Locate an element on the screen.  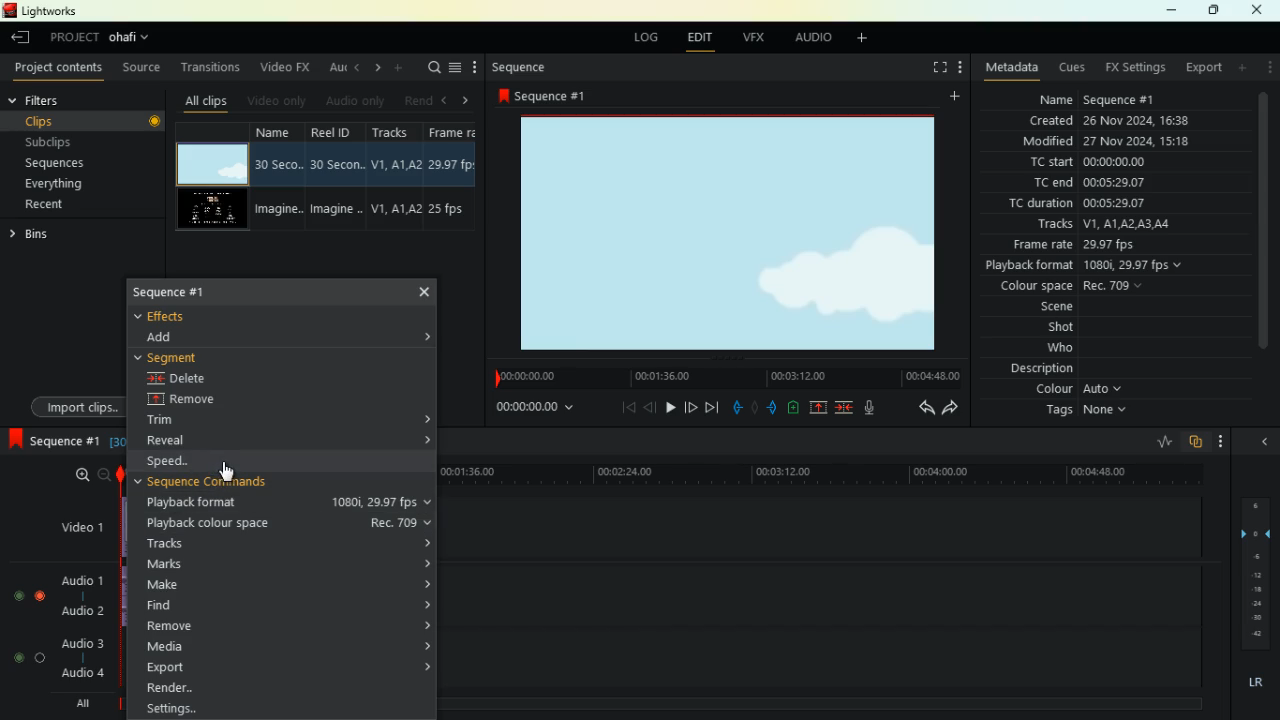
sequence is located at coordinates (176, 294).